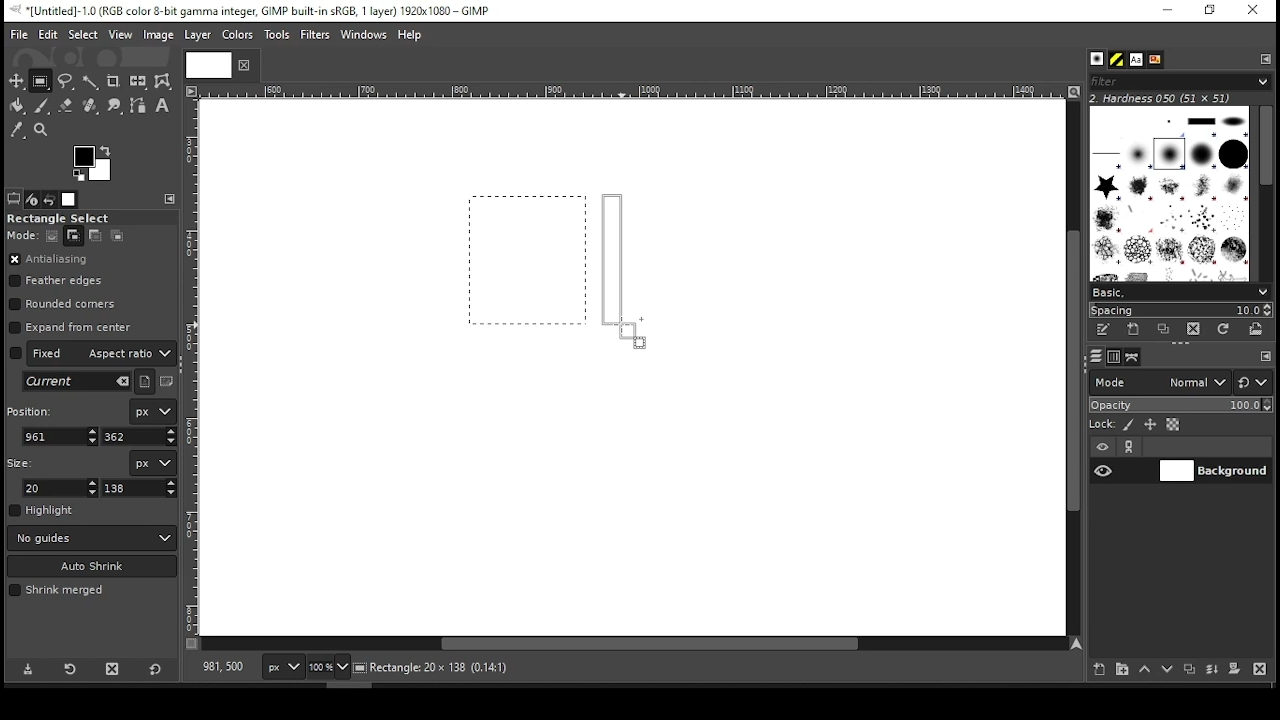  What do you see at coordinates (17, 81) in the screenshot?
I see `selection tool` at bounding box center [17, 81].